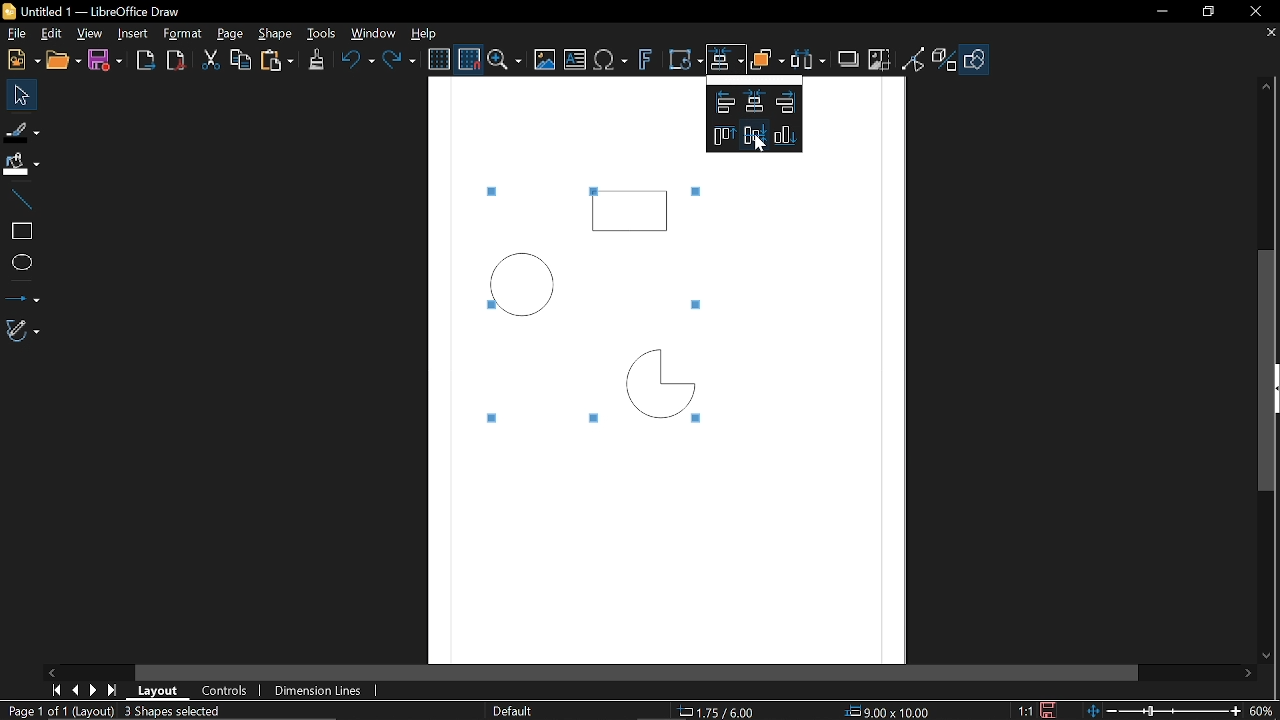 This screenshot has width=1280, height=720. I want to click on Objects, so click(766, 61).